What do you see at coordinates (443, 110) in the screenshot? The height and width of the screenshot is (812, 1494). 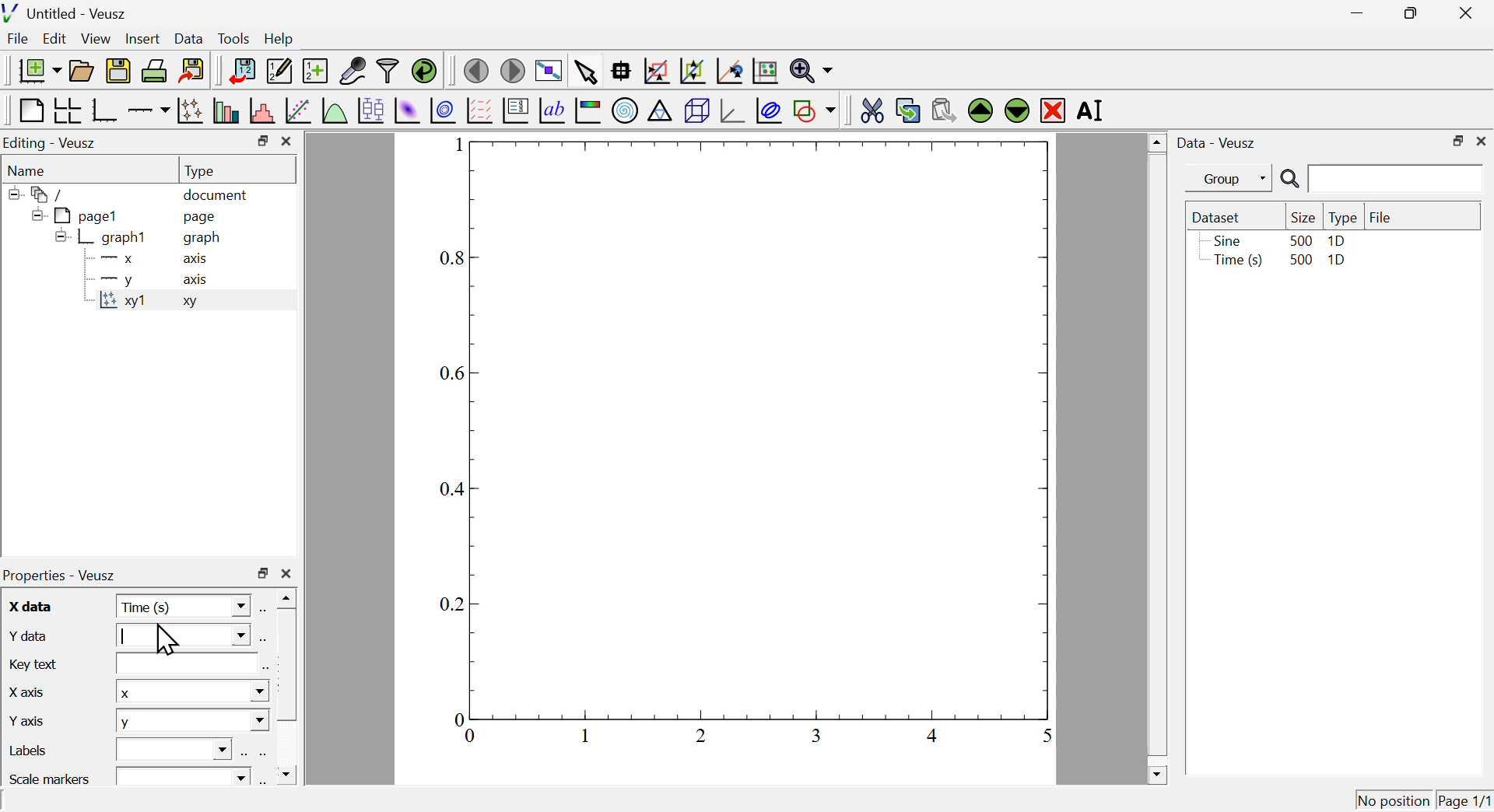 I see `plot a 2d dataset as contours` at bounding box center [443, 110].